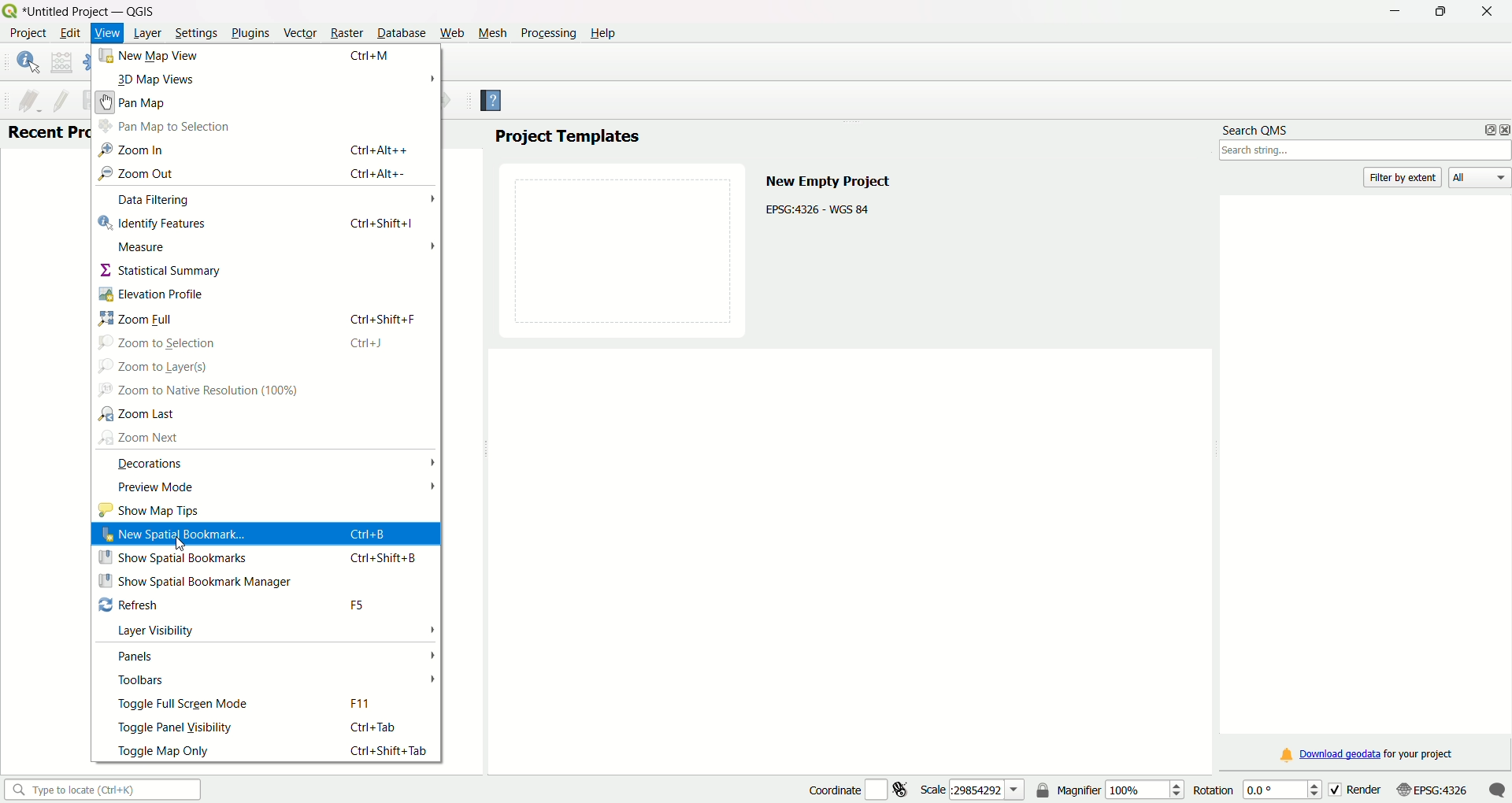 The image size is (1512, 803). Describe the element at coordinates (431, 679) in the screenshot. I see `arrow` at that location.